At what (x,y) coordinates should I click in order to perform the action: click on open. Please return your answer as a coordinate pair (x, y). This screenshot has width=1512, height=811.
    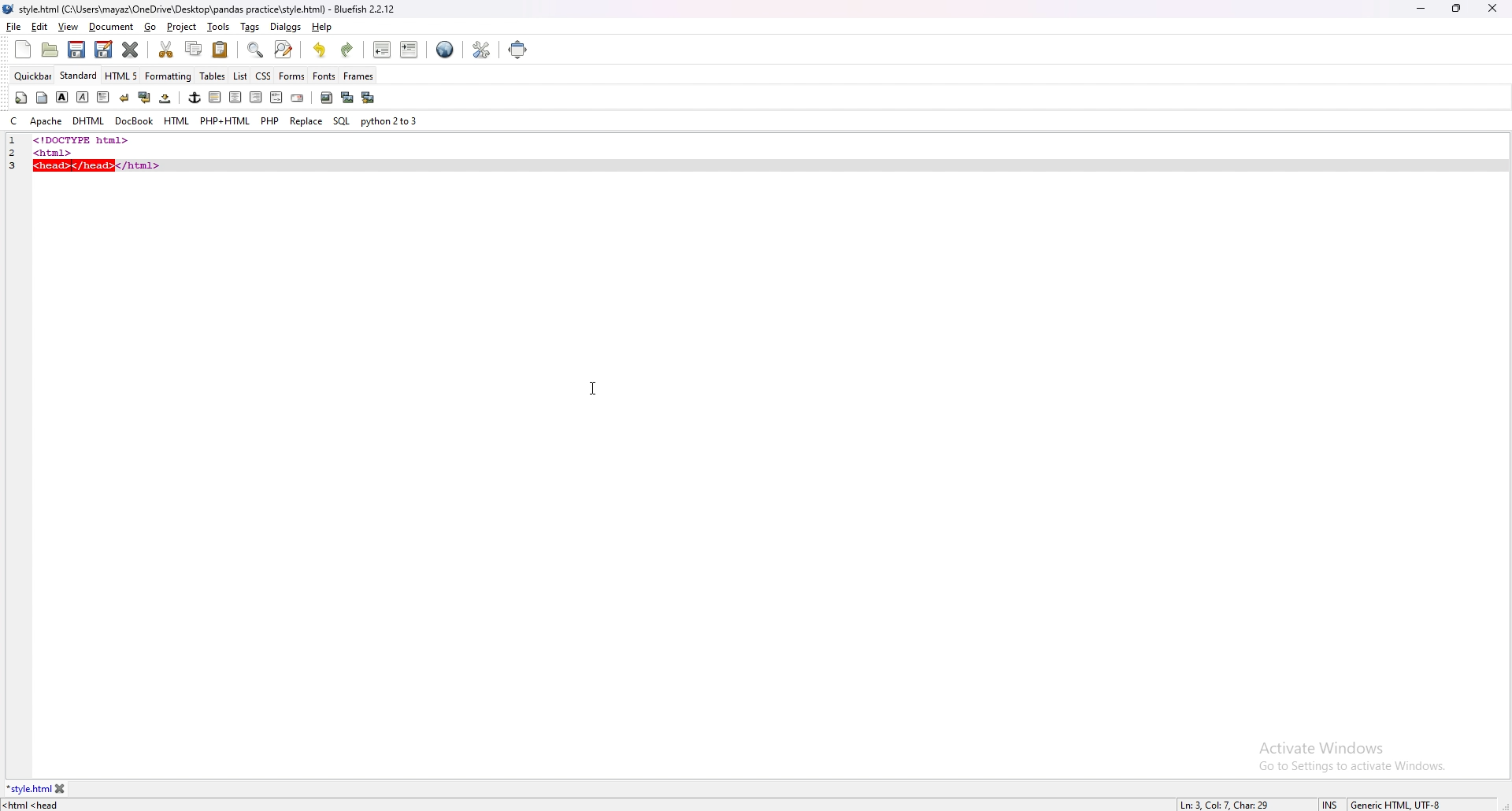
    Looking at the image, I should click on (52, 50).